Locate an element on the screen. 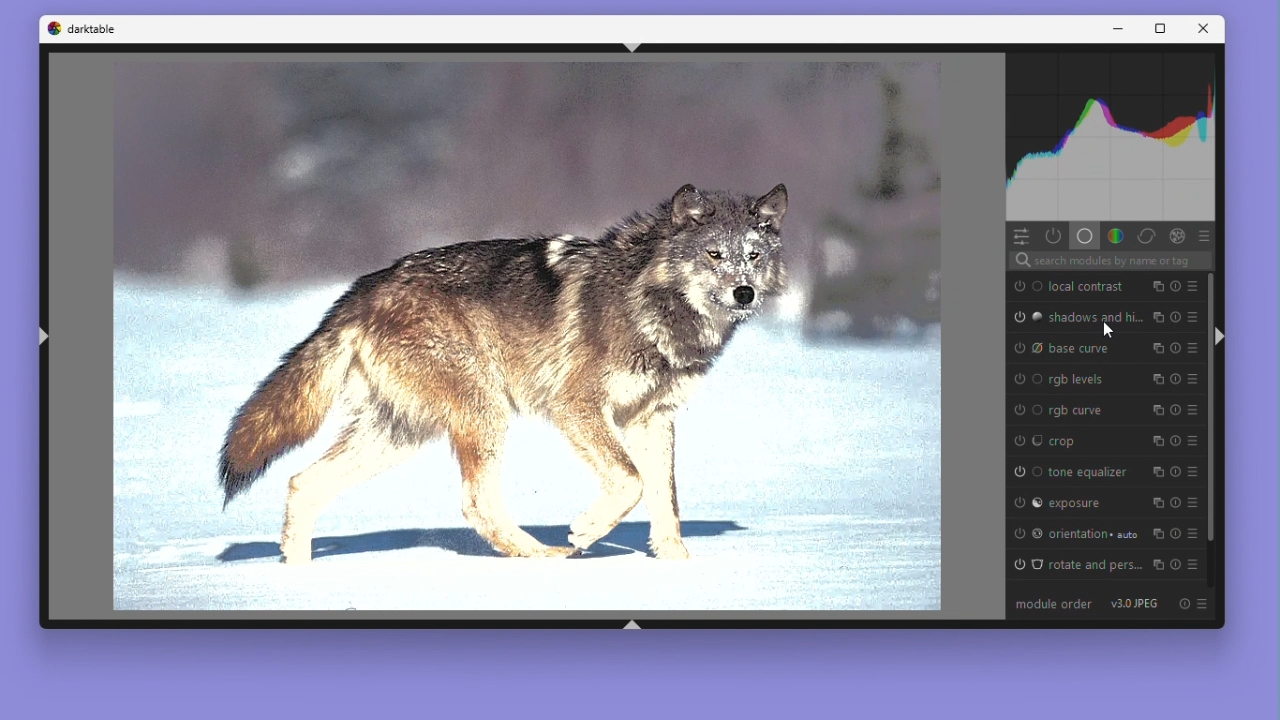 The width and height of the screenshot is (1280, 720). 'Tone equaliser' is switched on is located at coordinates (1025, 469).